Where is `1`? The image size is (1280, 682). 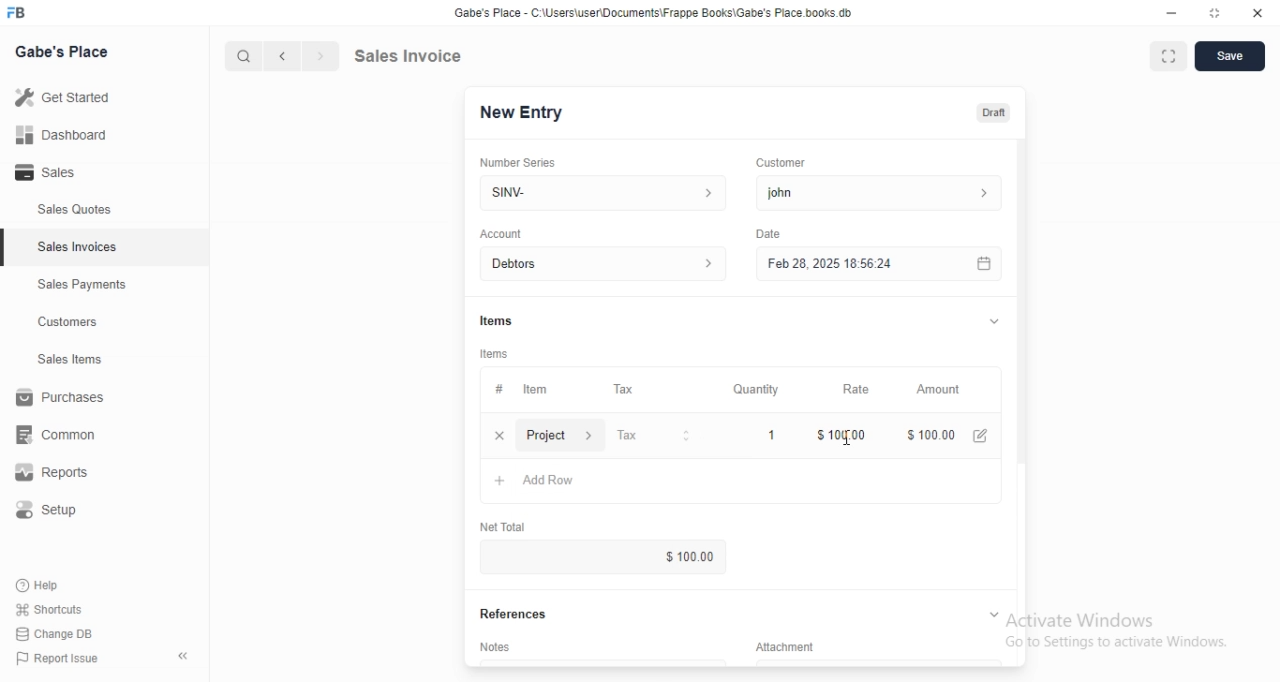 1 is located at coordinates (773, 434).